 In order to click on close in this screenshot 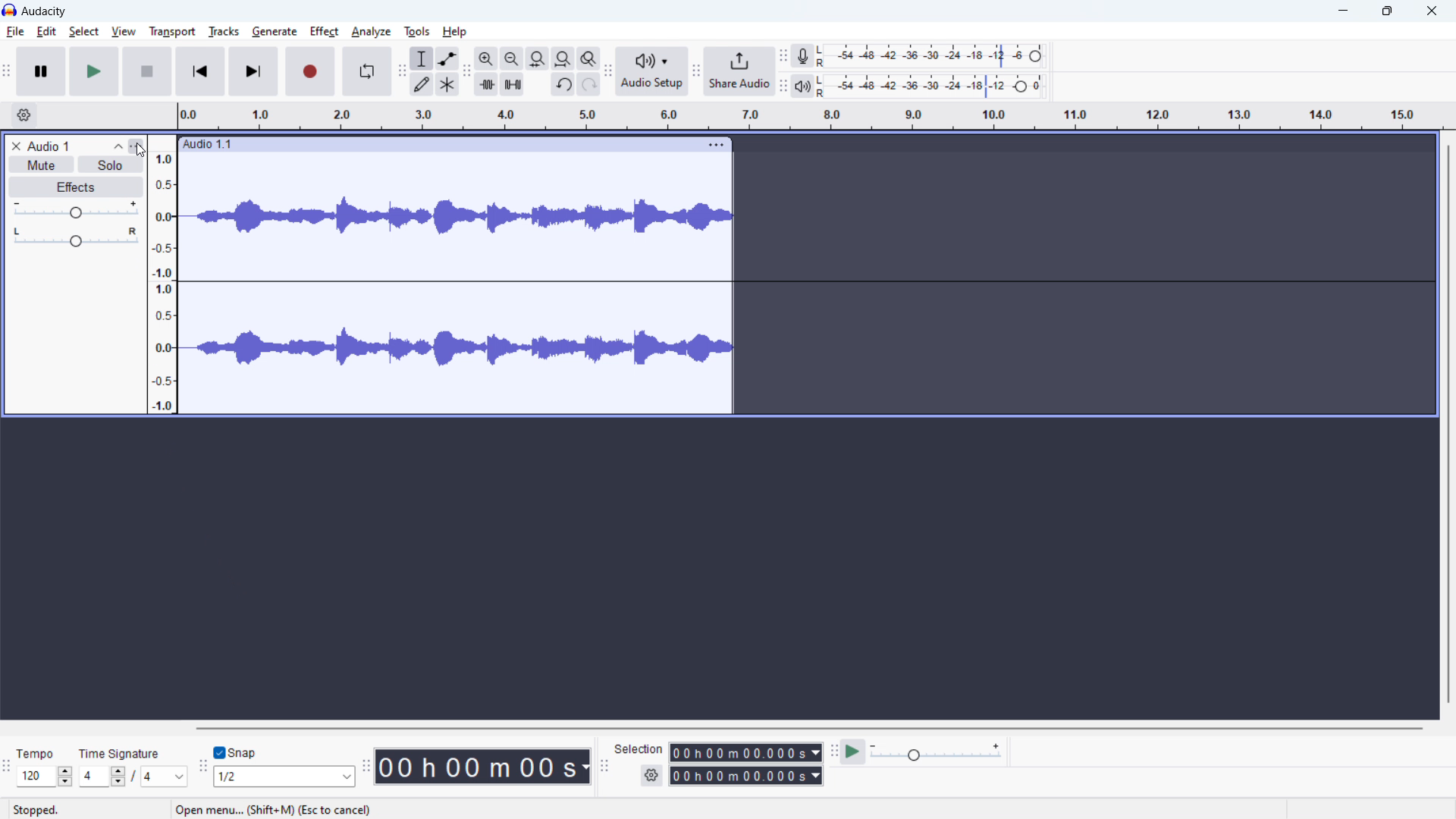, I will do `click(1433, 11)`.